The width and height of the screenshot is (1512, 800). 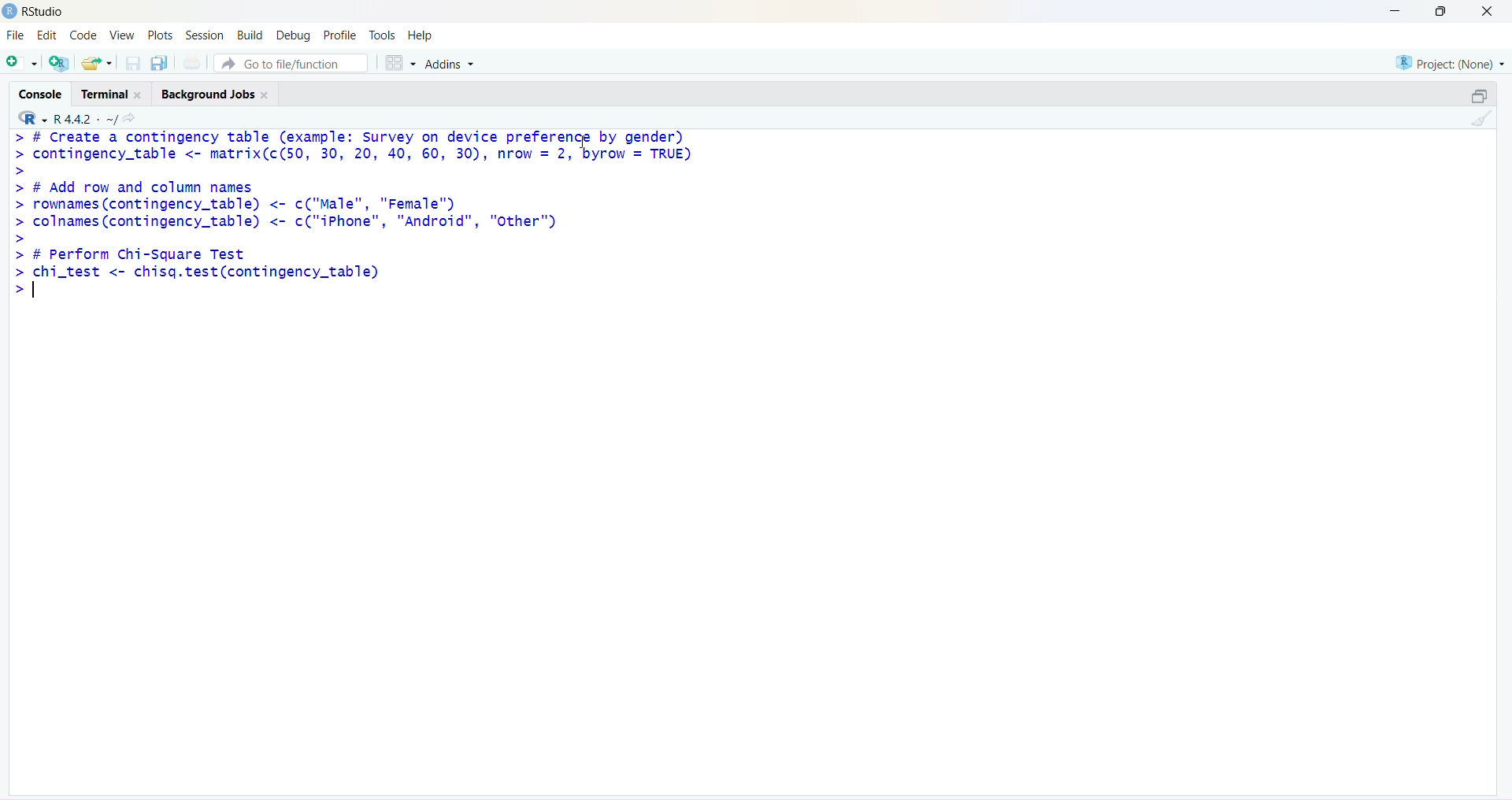 What do you see at coordinates (295, 37) in the screenshot?
I see `Debug` at bounding box center [295, 37].